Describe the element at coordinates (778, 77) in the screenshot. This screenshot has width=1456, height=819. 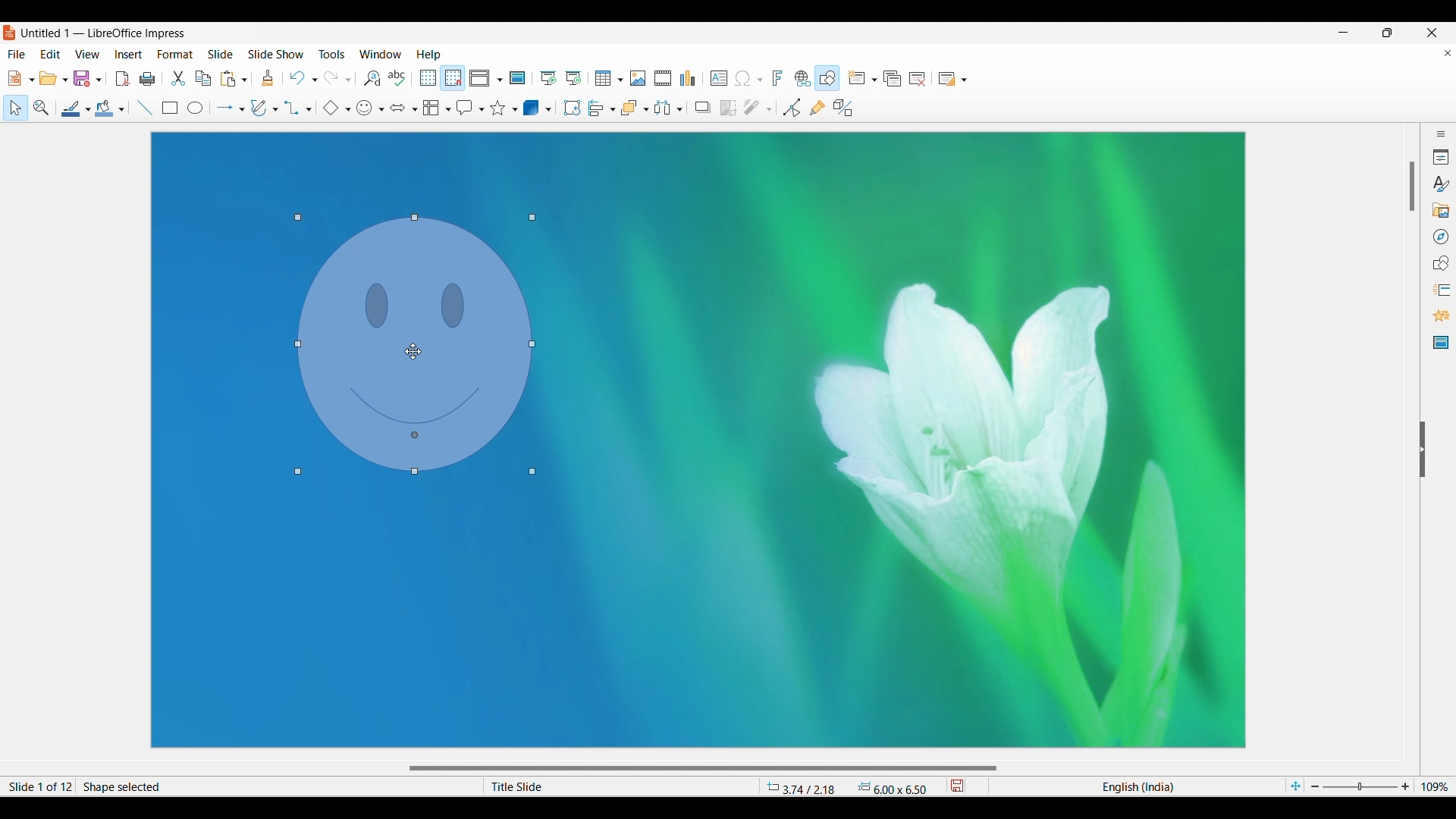
I see `Insert fontwork text` at that location.